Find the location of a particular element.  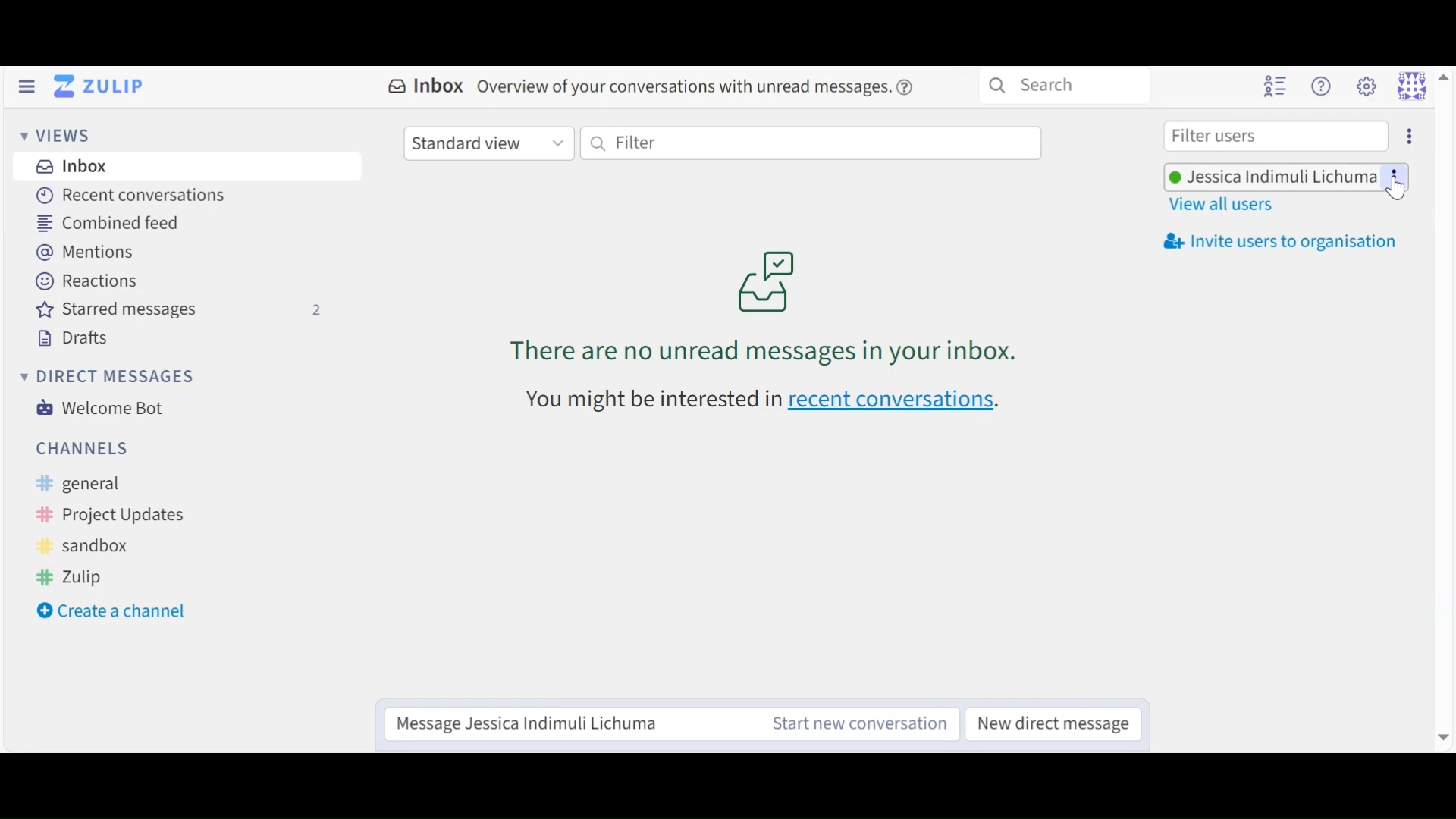

general is located at coordinates (89, 485).